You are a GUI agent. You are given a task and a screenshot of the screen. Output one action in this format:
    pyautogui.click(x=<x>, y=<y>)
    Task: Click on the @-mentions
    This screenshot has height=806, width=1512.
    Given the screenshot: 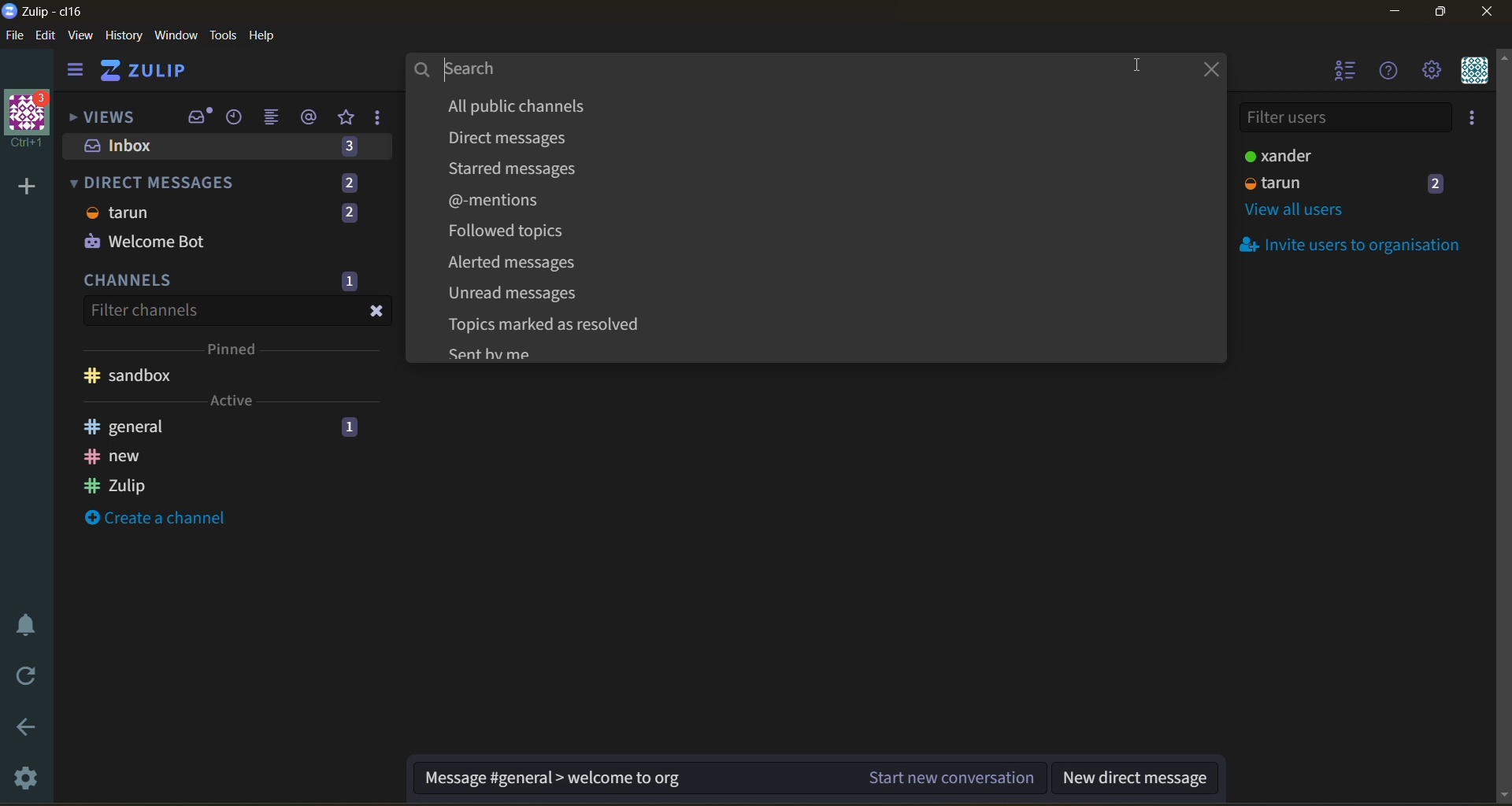 What is the action you would take?
    pyautogui.click(x=486, y=201)
    